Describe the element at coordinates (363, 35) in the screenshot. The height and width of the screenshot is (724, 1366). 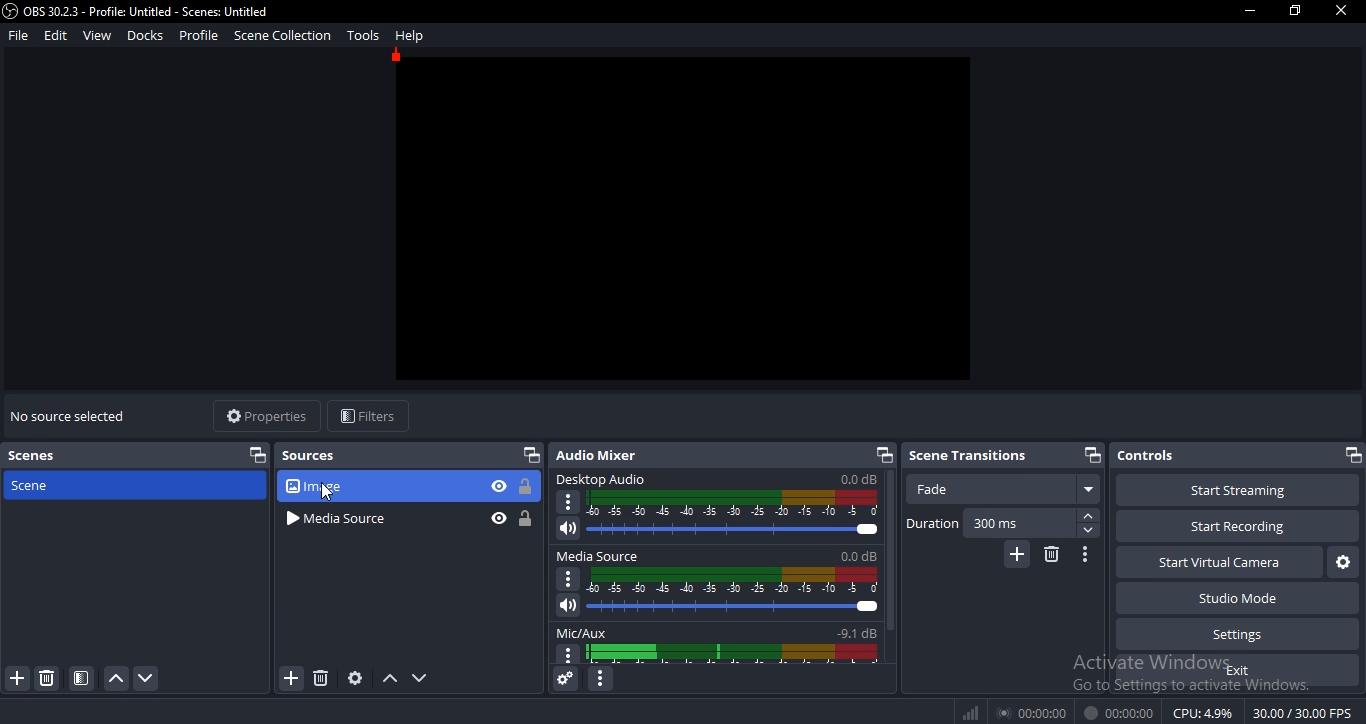
I see `tools` at that location.